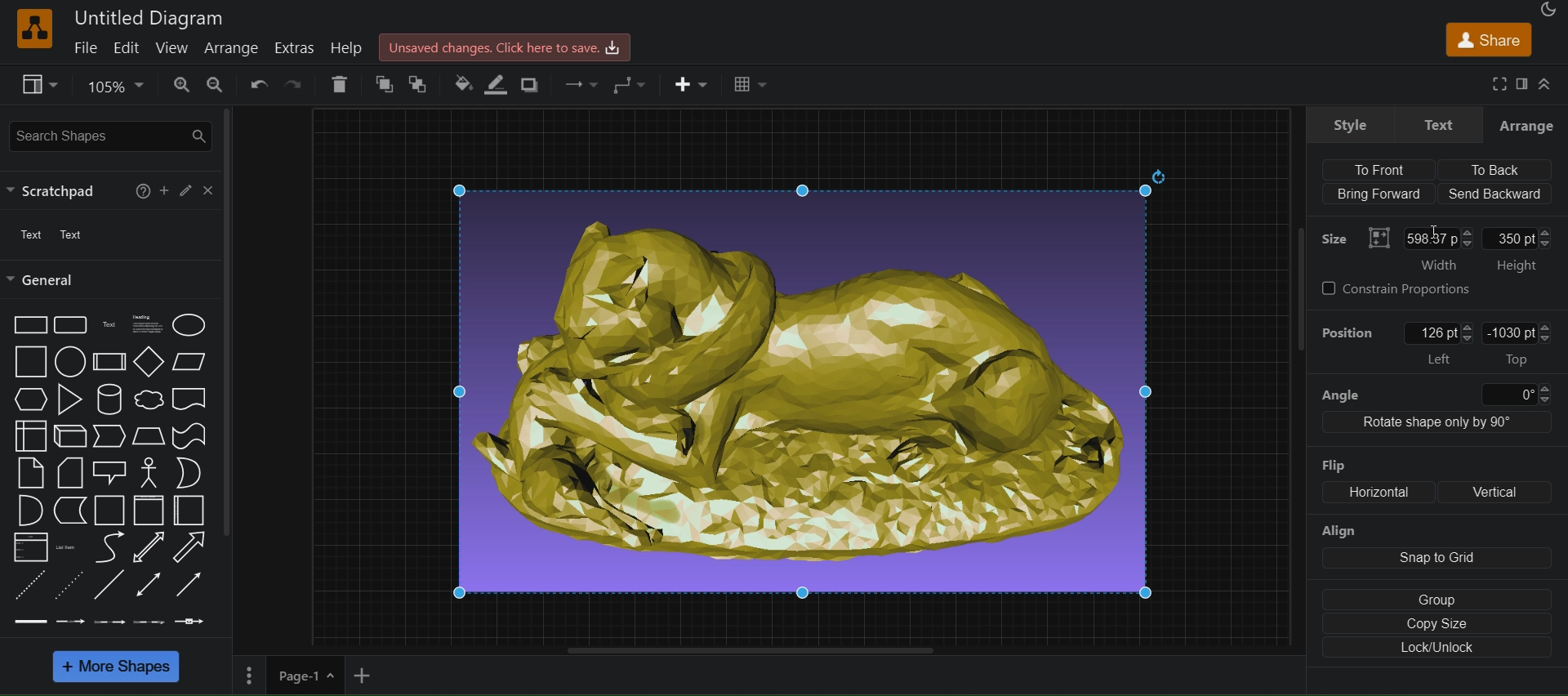  I want to click on -1030pt Top, so click(1520, 344).